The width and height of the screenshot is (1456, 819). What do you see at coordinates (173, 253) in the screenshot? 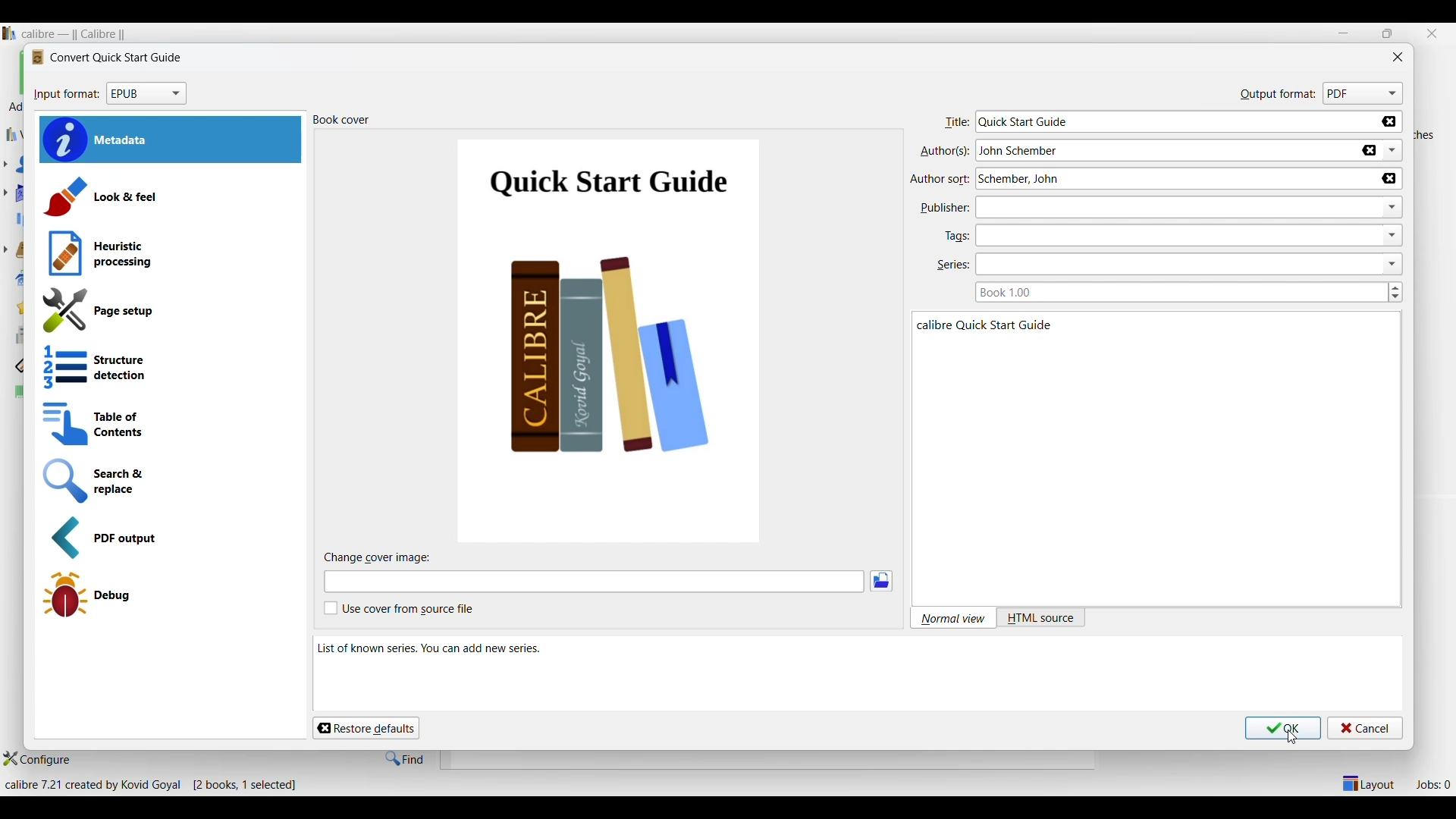
I see `Heuristic processing` at bounding box center [173, 253].